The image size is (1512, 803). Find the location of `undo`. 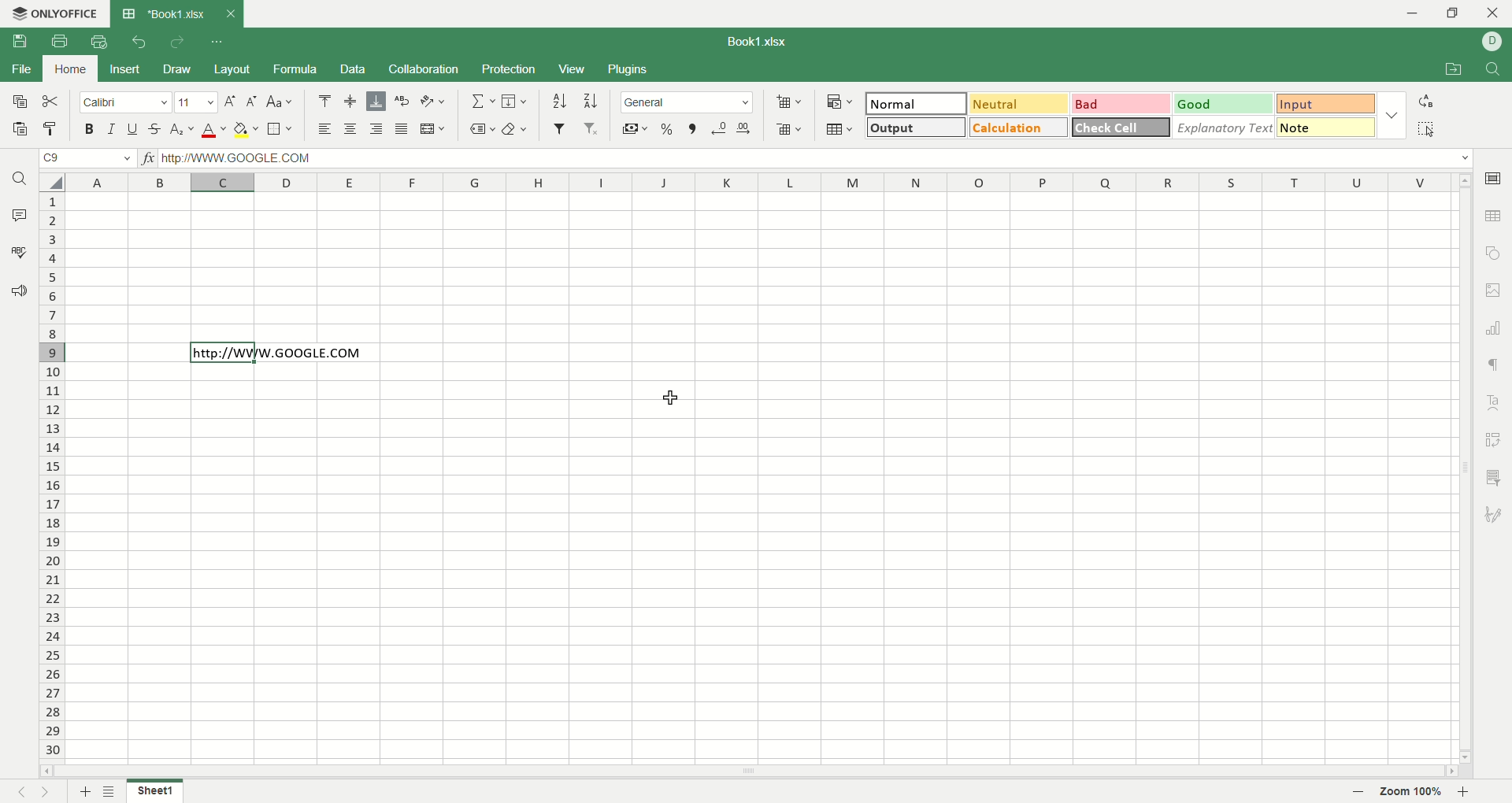

undo is located at coordinates (140, 42).